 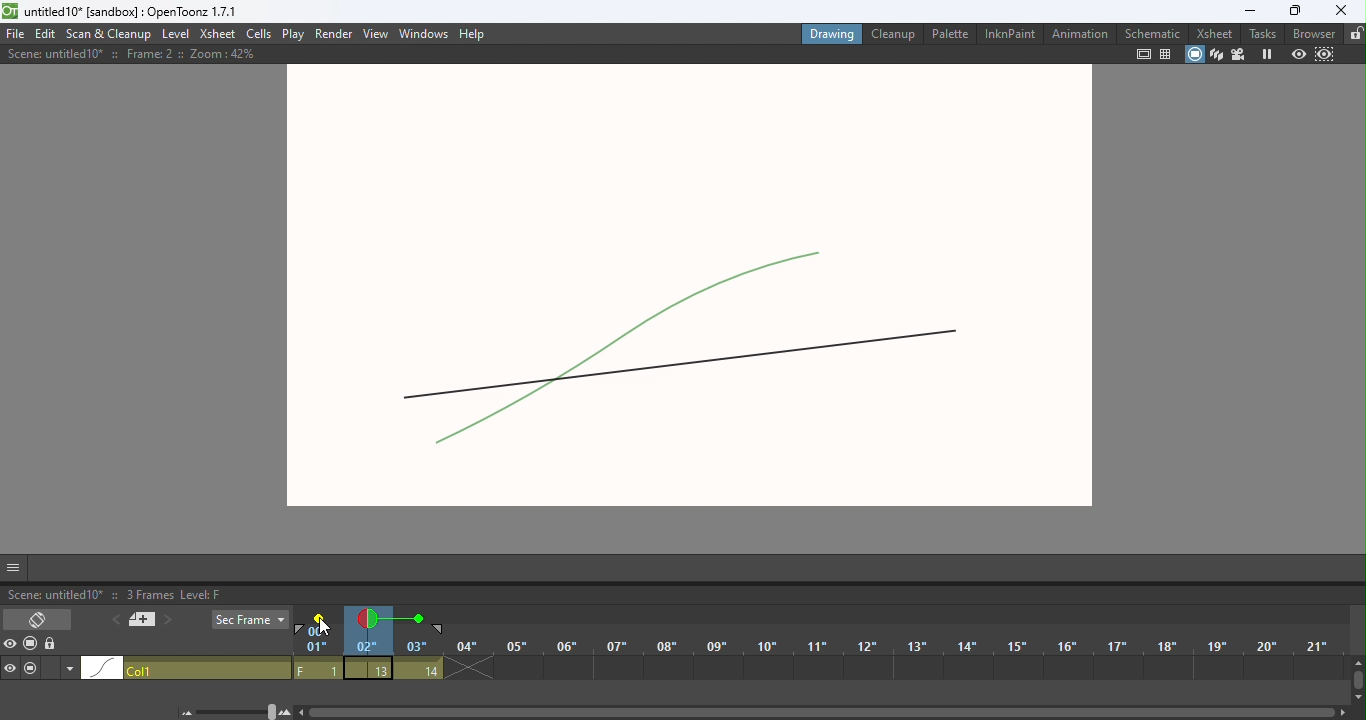 What do you see at coordinates (10, 646) in the screenshot?
I see `Preview visibility toggle all` at bounding box center [10, 646].